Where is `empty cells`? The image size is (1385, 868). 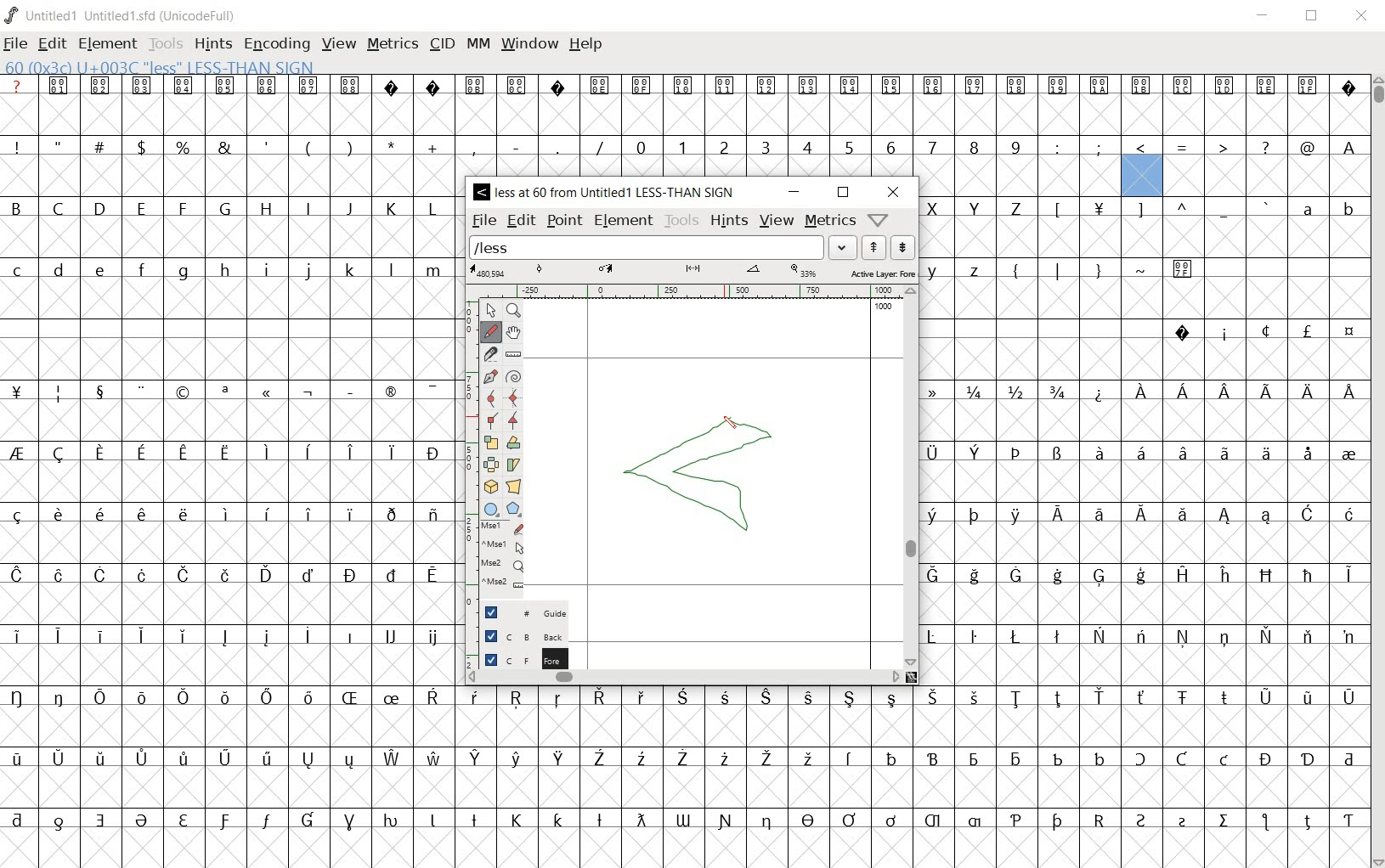 empty cells is located at coordinates (1144, 544).